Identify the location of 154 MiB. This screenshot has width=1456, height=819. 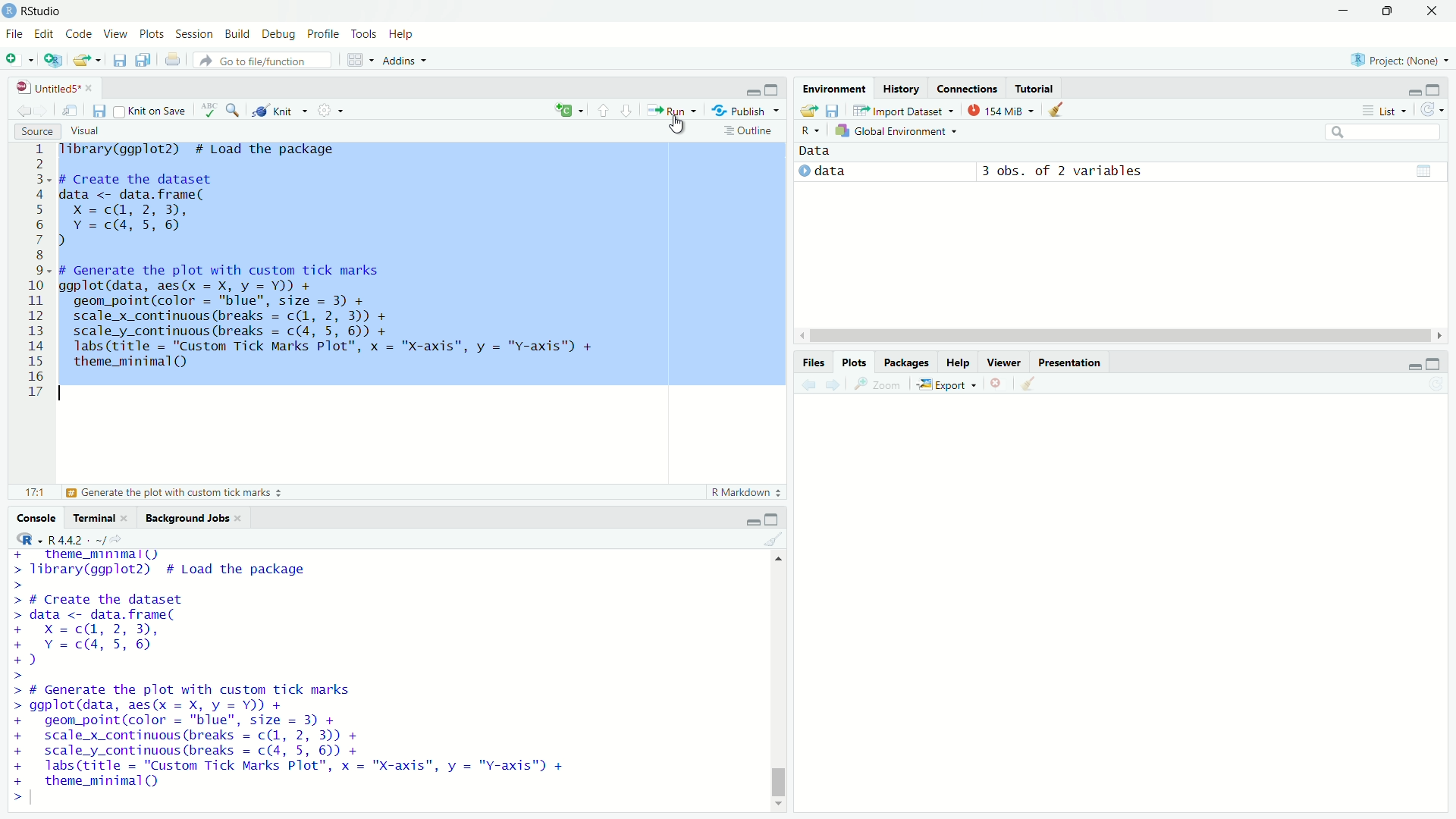
(1003, 109).